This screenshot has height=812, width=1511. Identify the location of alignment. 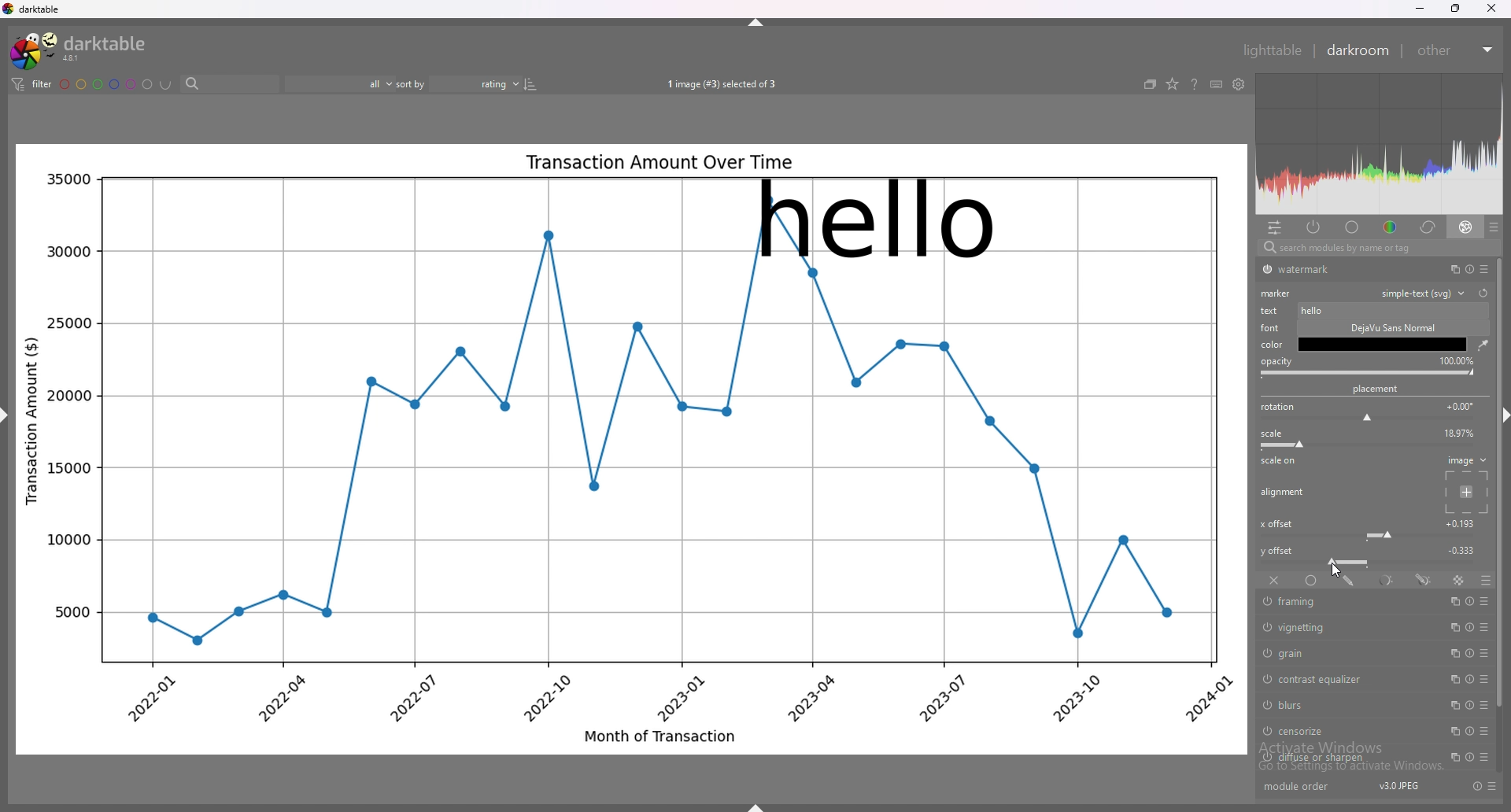
(1284, 492).